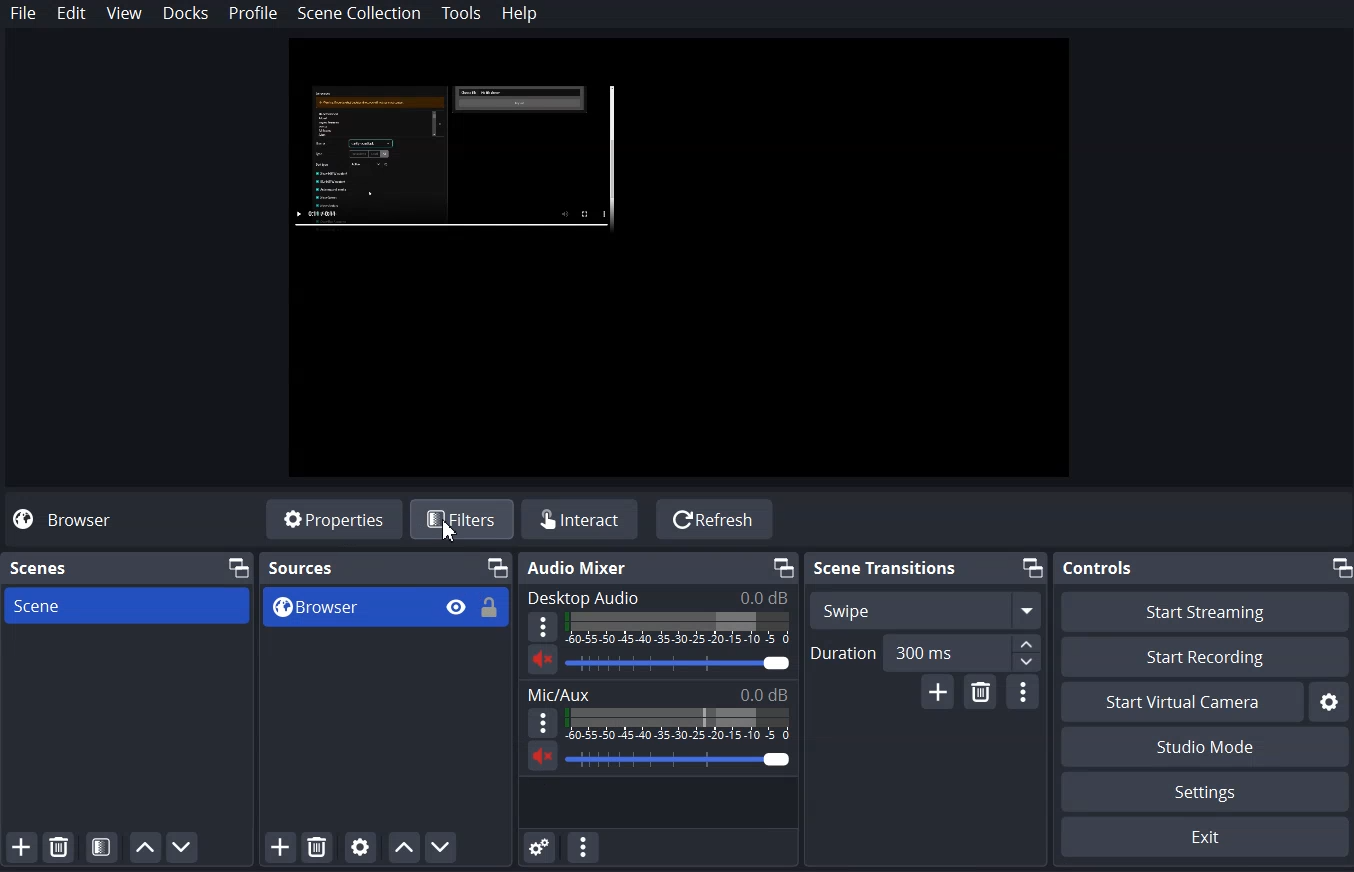 The image size is (1354, 872). Describe the element at coordinates (680, 259) in the screenshot. I see `File Preview` at that location.